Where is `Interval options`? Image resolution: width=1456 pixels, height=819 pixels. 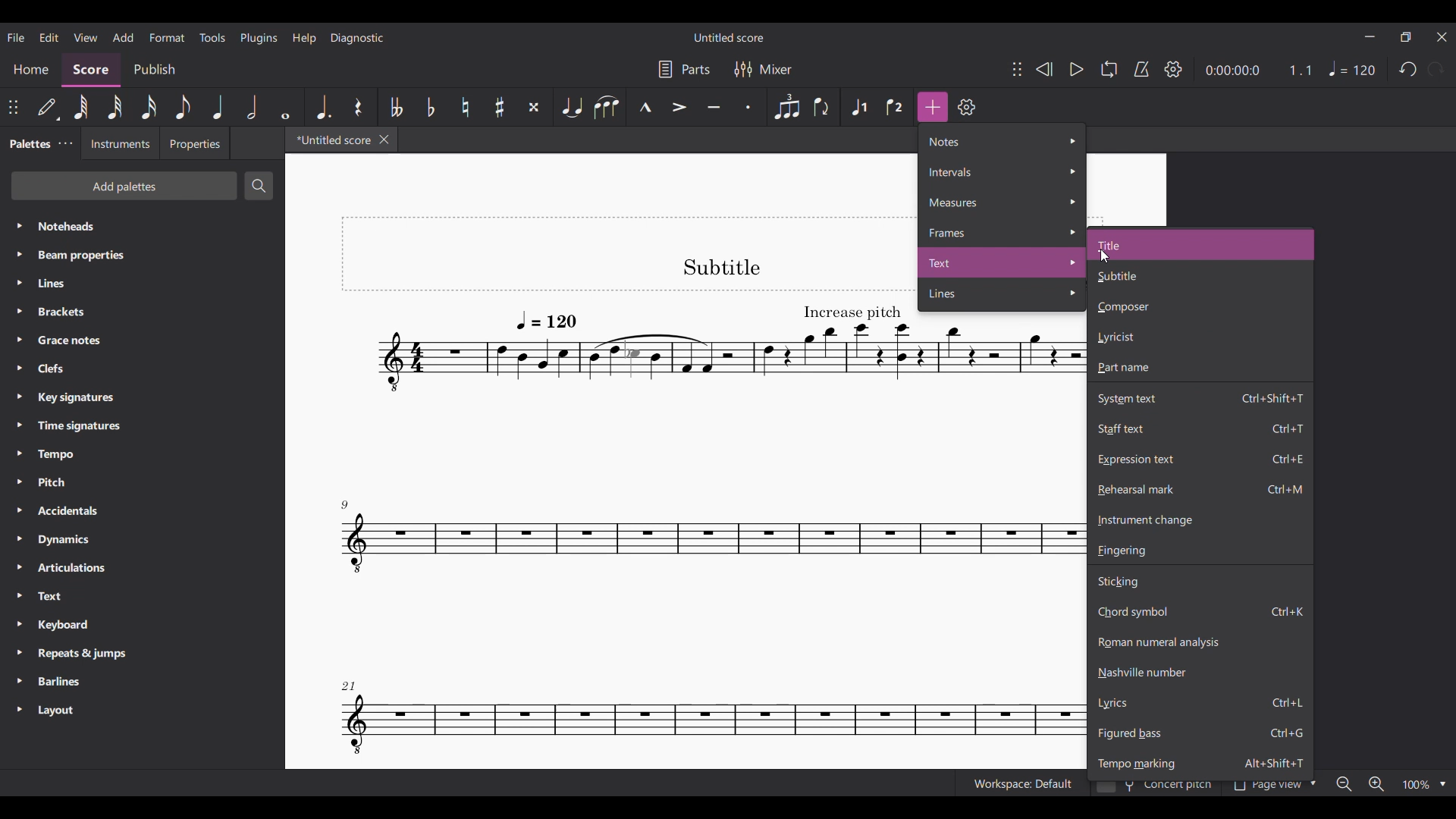 Interval options is located at coordinates (1002, 172).